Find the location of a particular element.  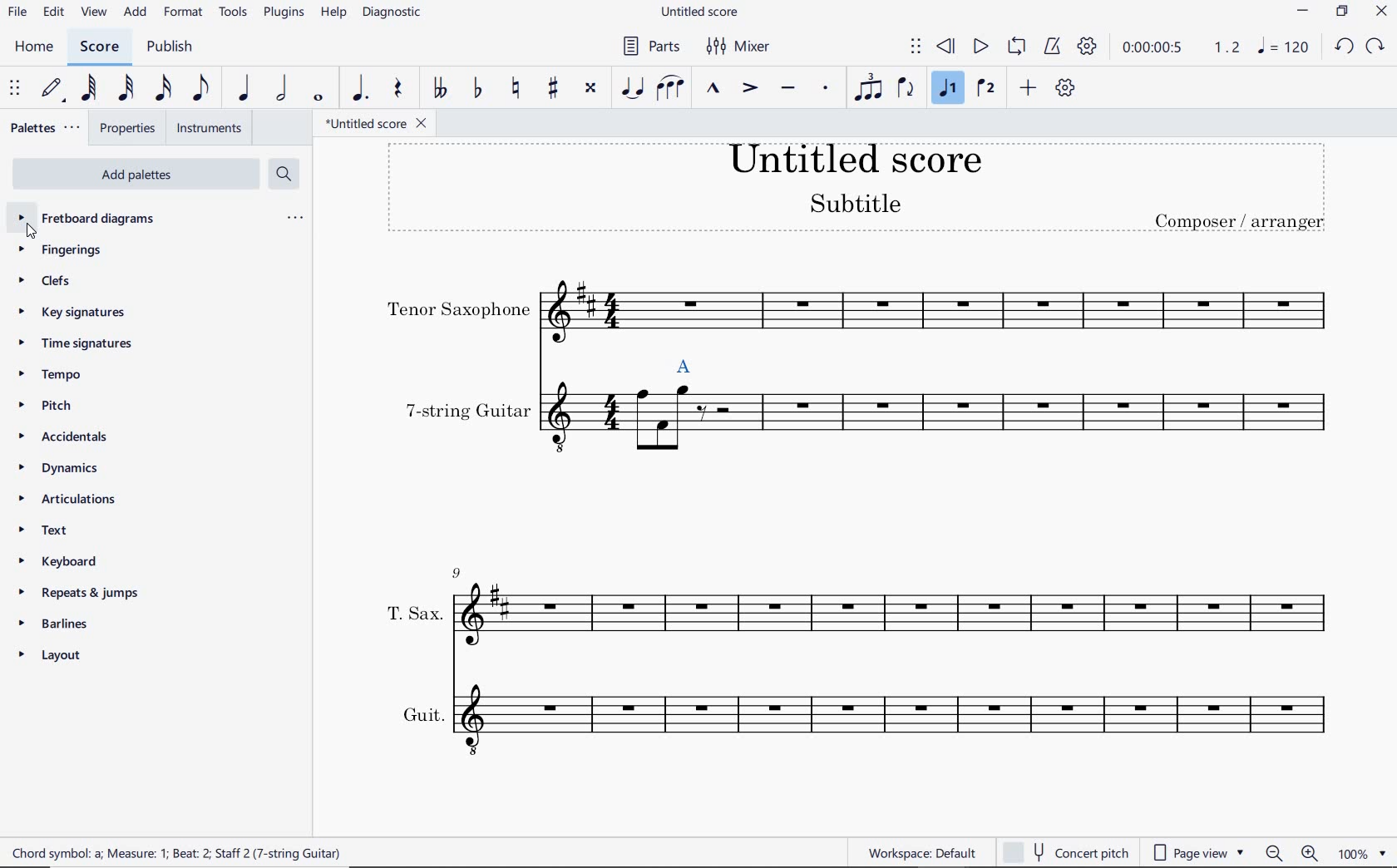

16TH NOTE is located at coordinates (161, 89).